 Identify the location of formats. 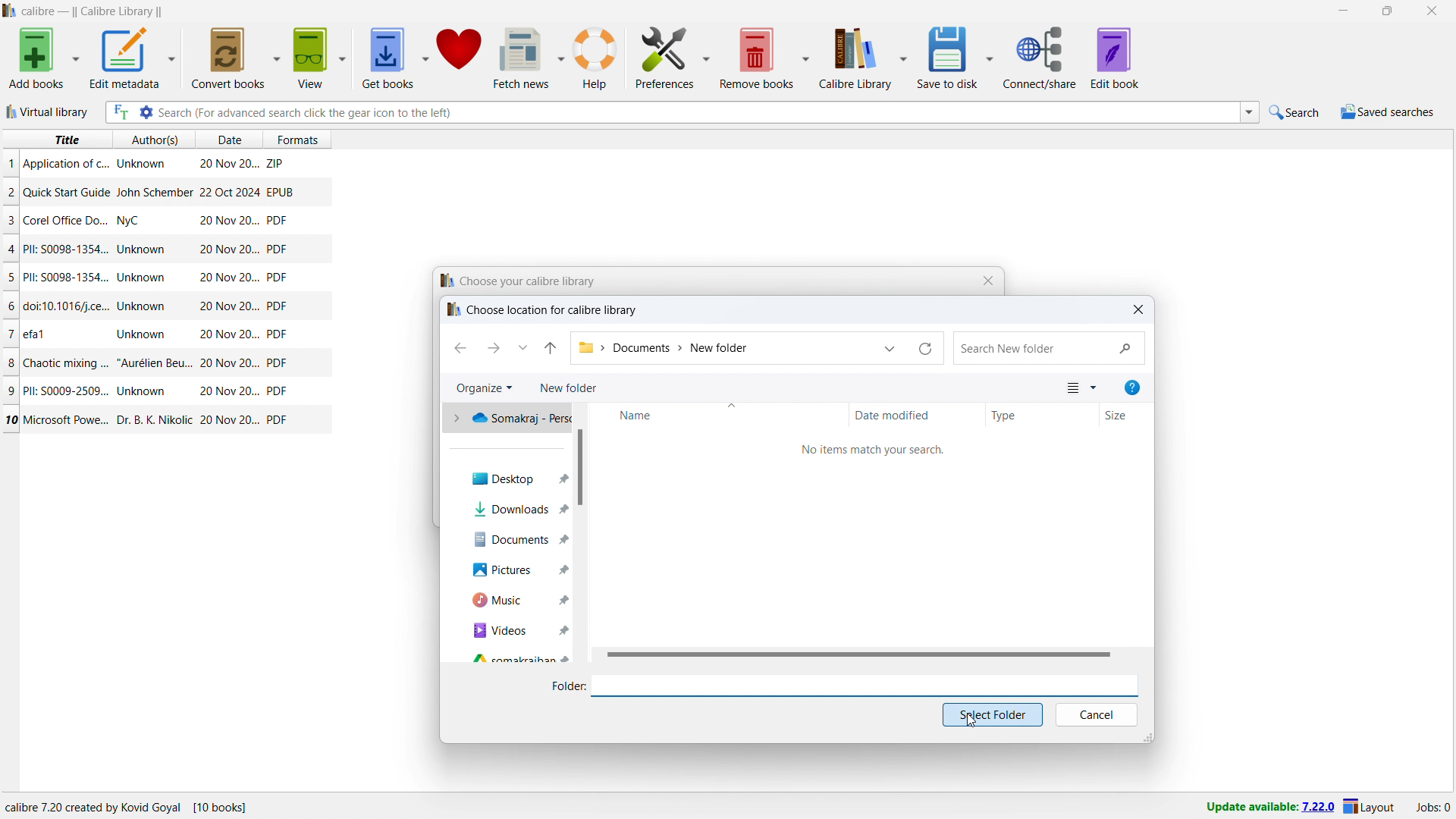
(304, 137).